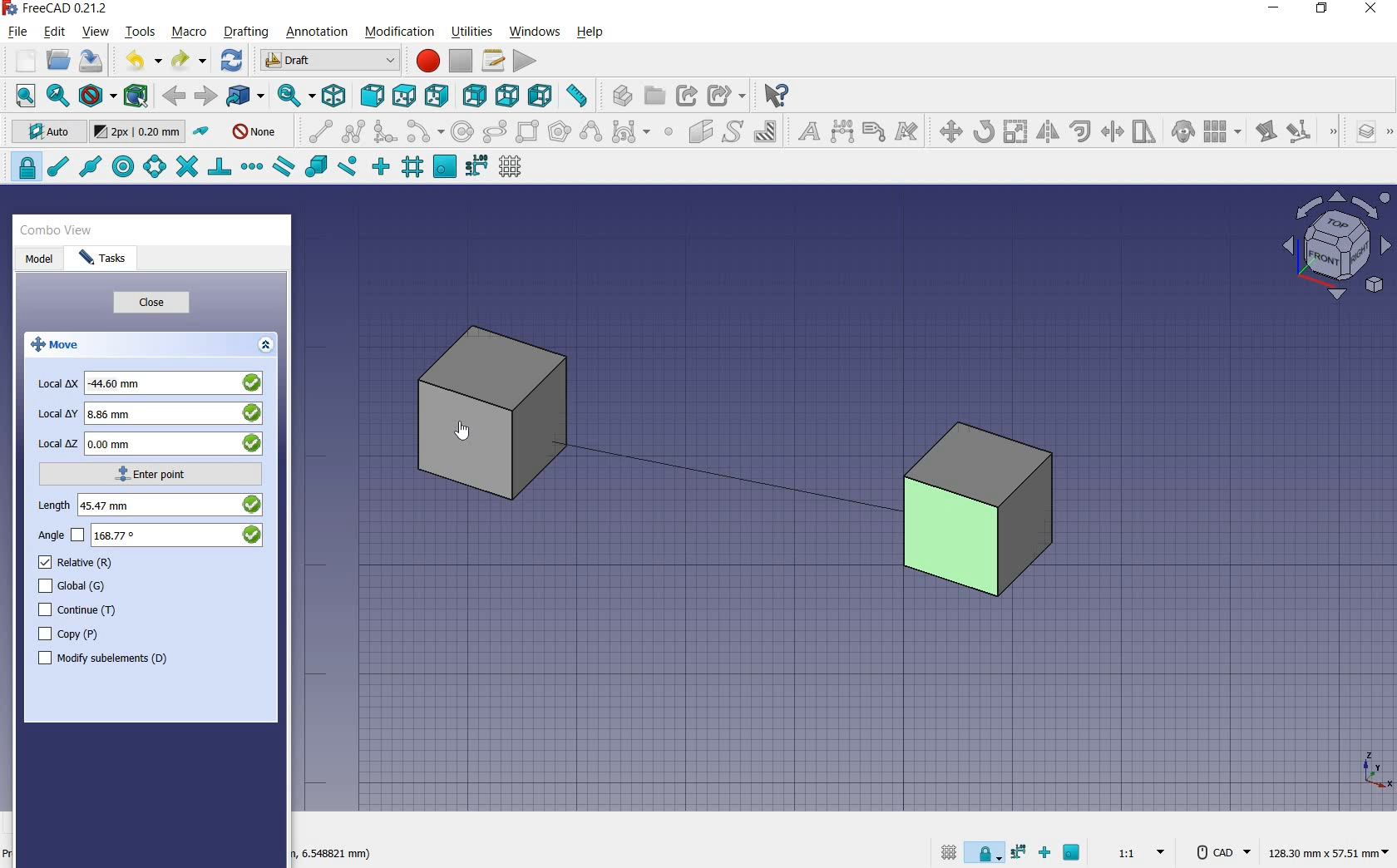 This screenshot has height=868, width=1397. I want to click on snap special, so click(316, 166).